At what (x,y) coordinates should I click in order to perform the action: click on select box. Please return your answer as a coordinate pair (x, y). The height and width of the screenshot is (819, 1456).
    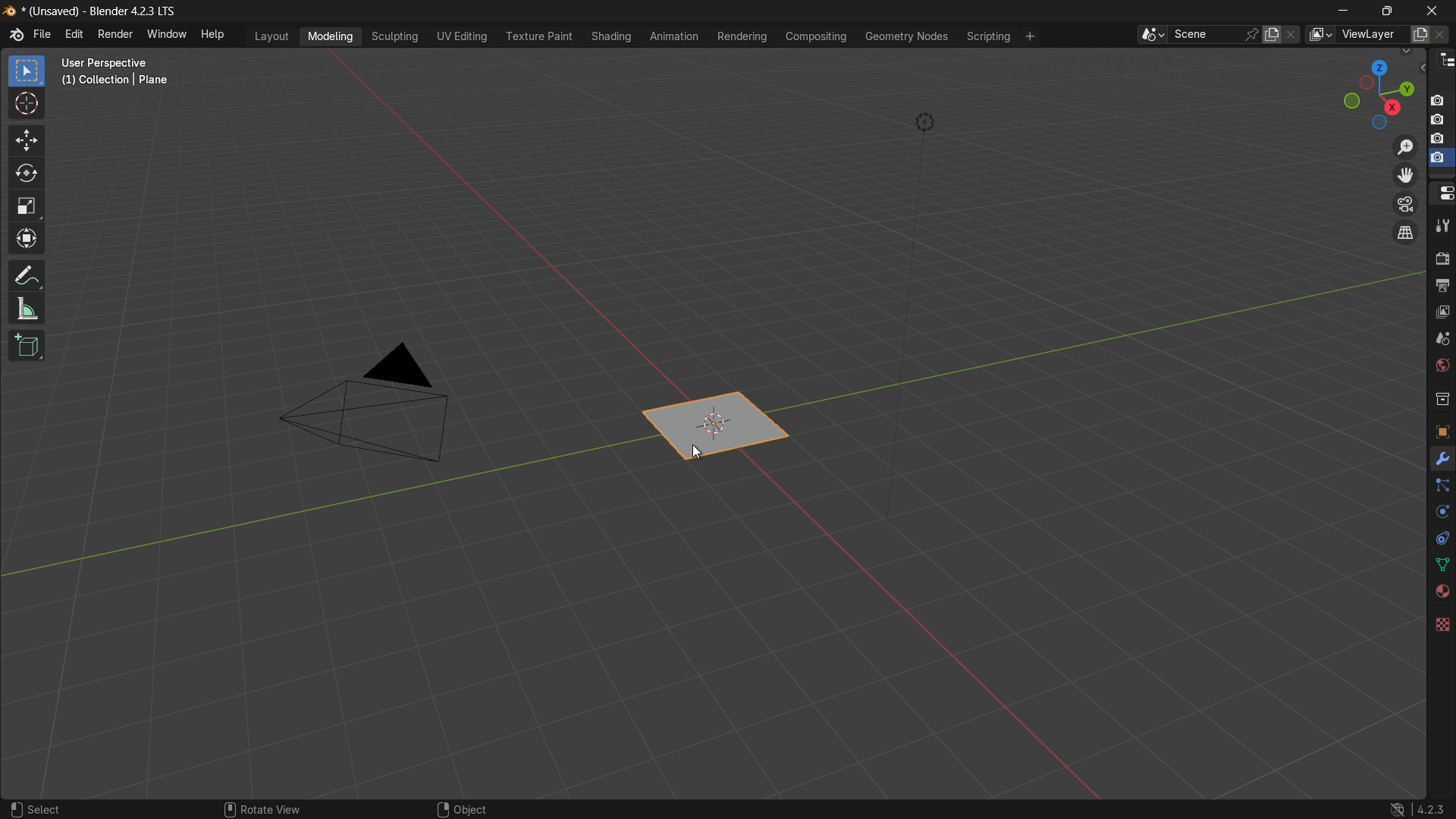
    Looking at the image, I should click on (27, 71).